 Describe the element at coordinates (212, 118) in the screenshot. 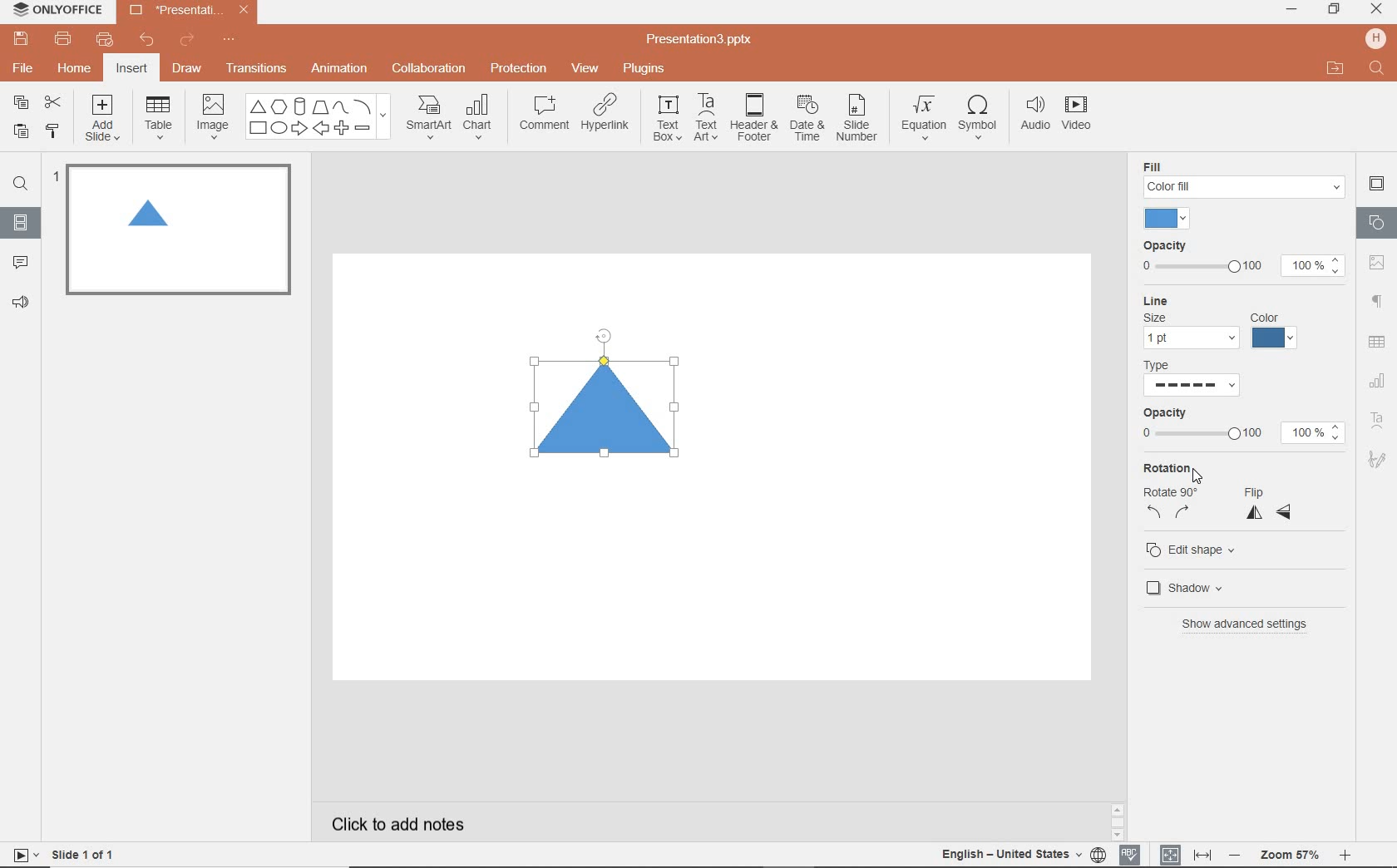

I see `IMAGE` at that location.